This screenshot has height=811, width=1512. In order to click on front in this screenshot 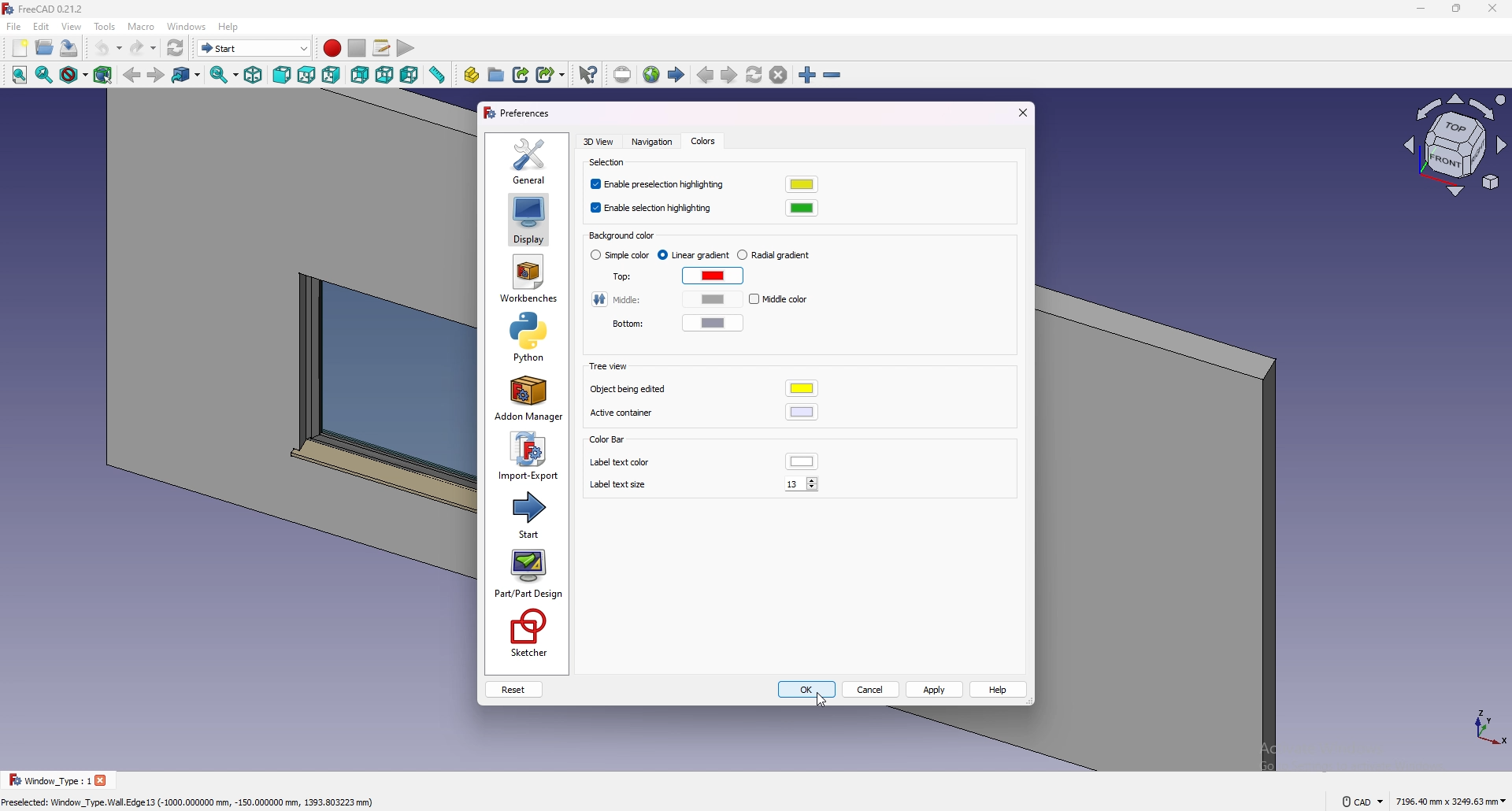, I will do `click(283, 76)`.